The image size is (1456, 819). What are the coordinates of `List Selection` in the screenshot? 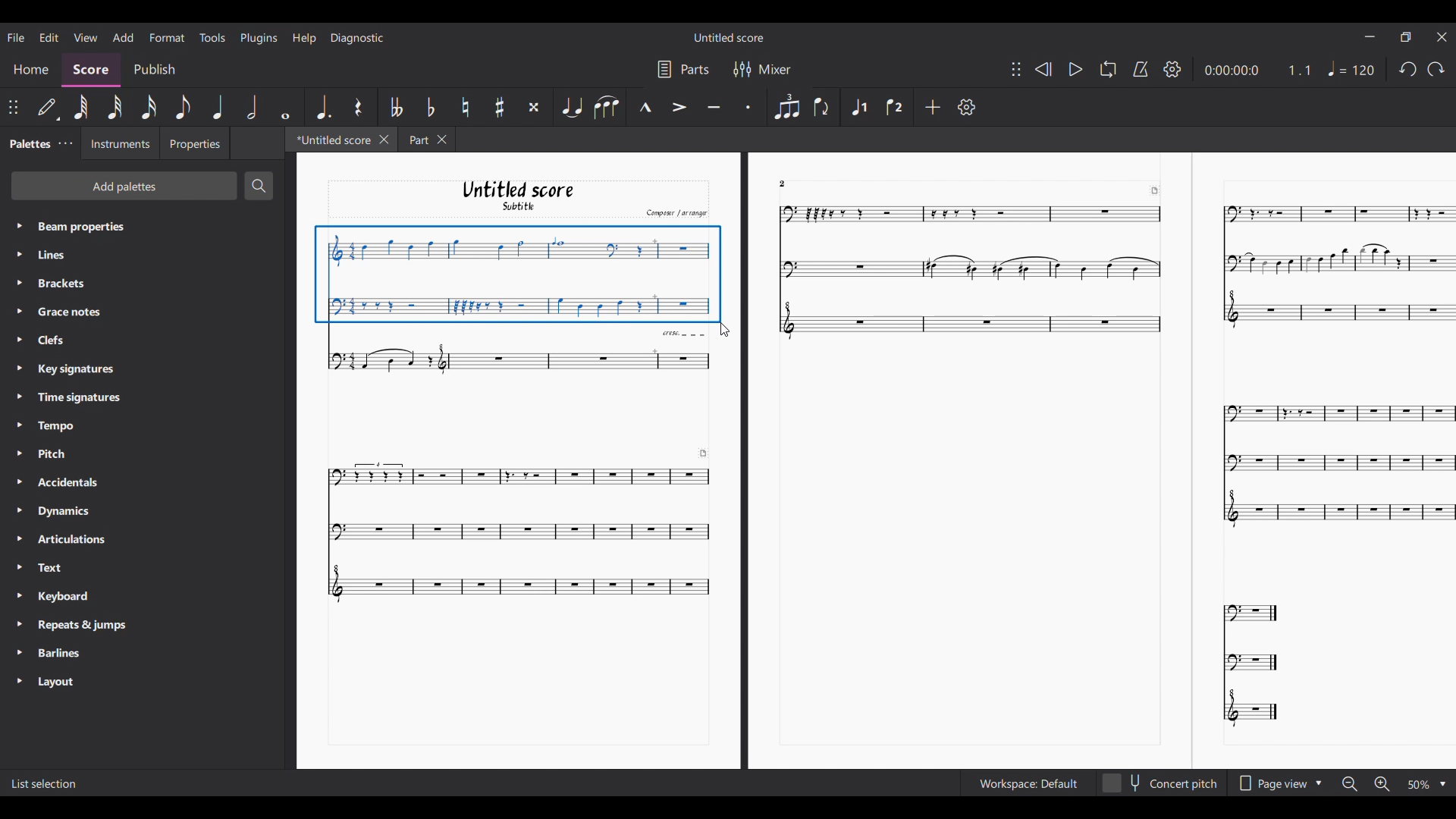 It's located at (49, 783).